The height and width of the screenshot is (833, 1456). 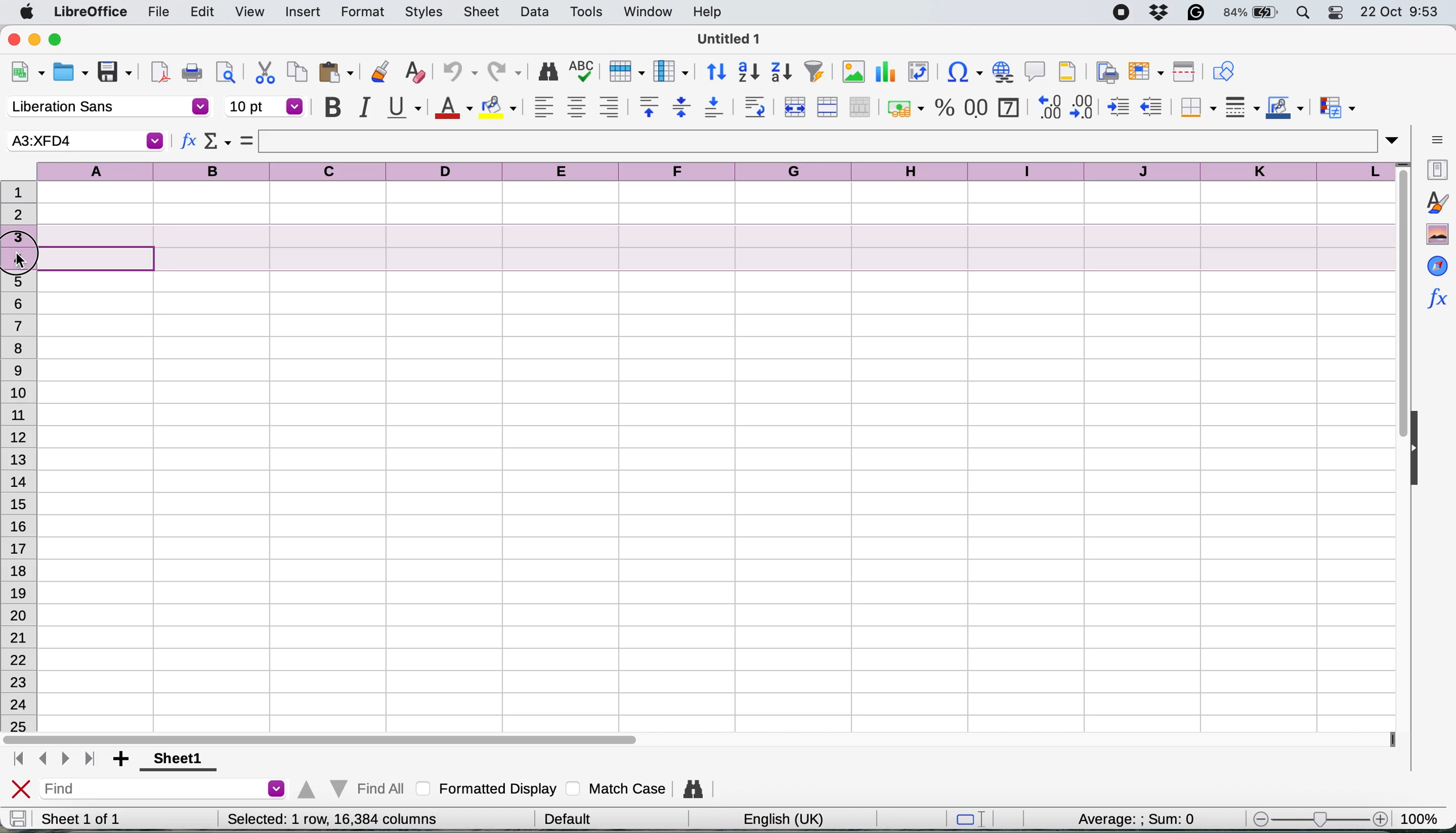 What do you see at coordinates (726, 38) in the screenshot?
I see `Untitled 1` at bounding box center [726, 38].